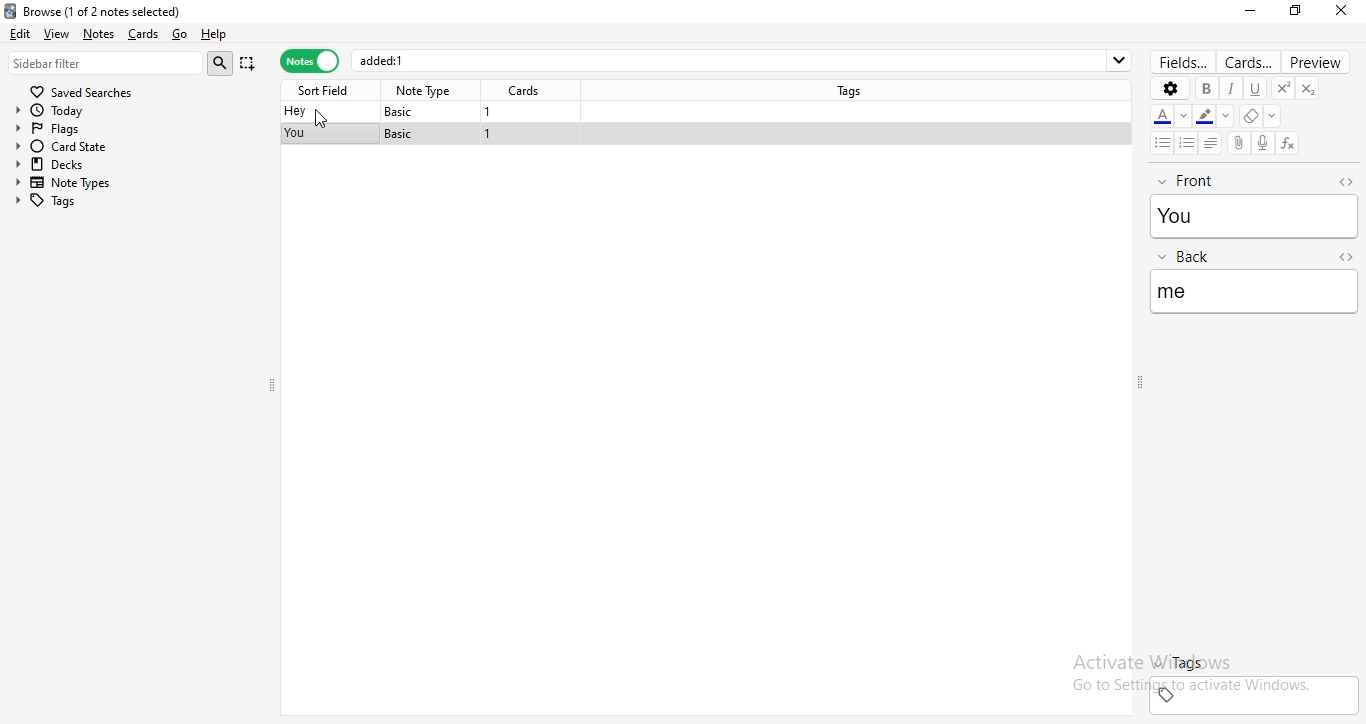 This screenshot has width=1366, height=724. I want to click on attach, so click(1239, 143).